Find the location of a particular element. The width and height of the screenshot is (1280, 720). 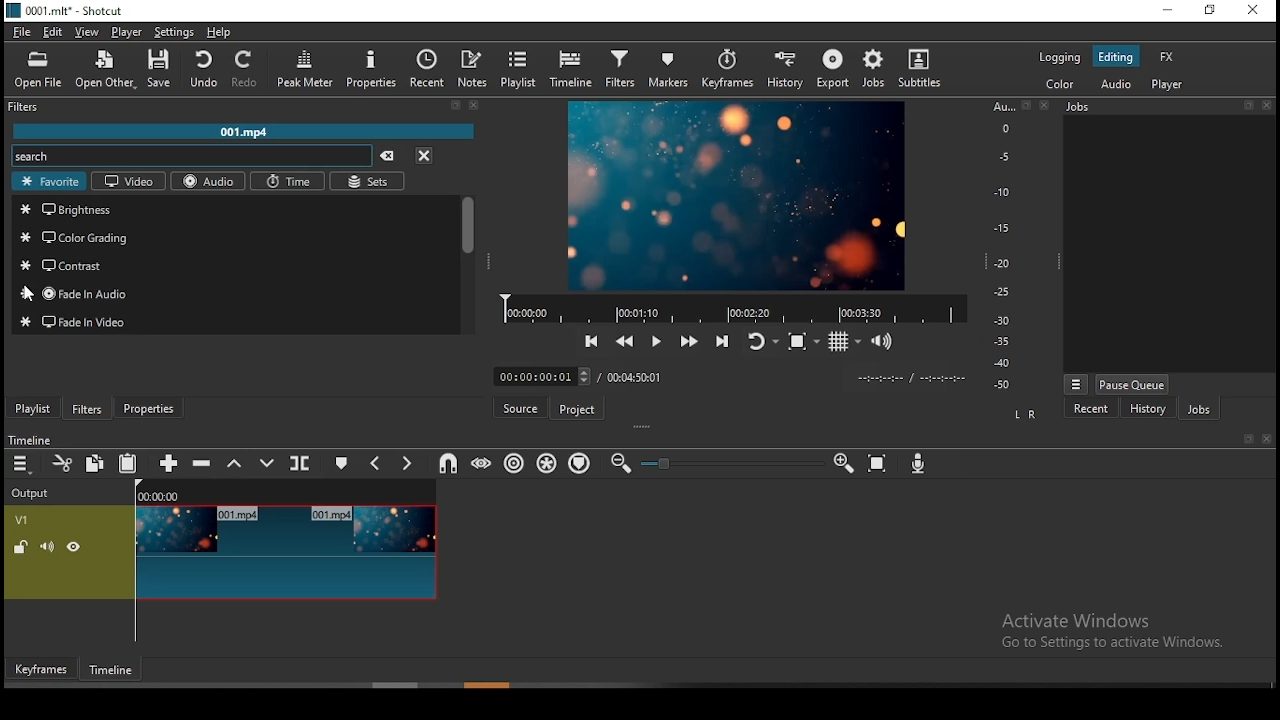

timeline menu is located at coordinates (22, 463).